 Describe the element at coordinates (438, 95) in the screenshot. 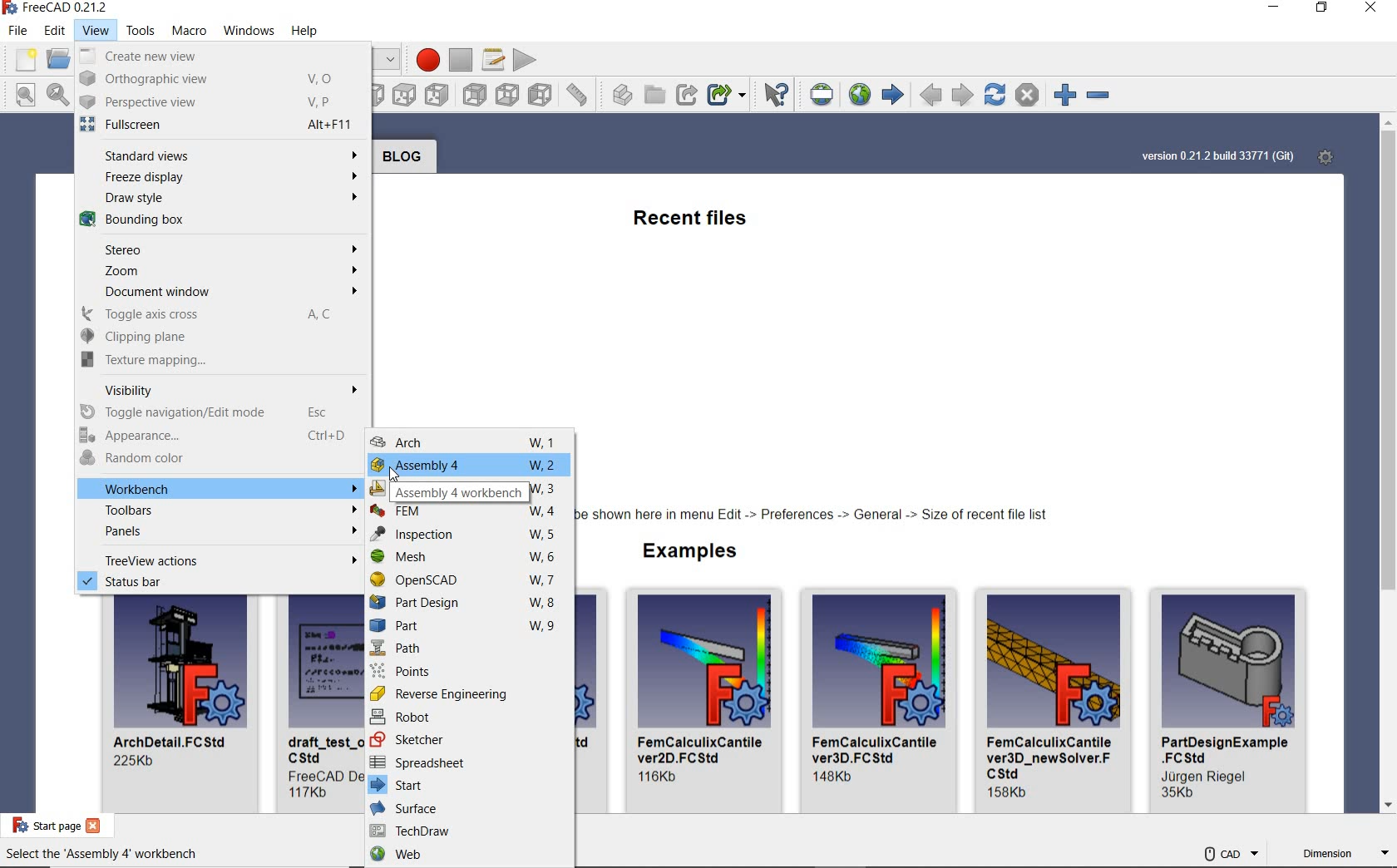

I see `right` at that location.